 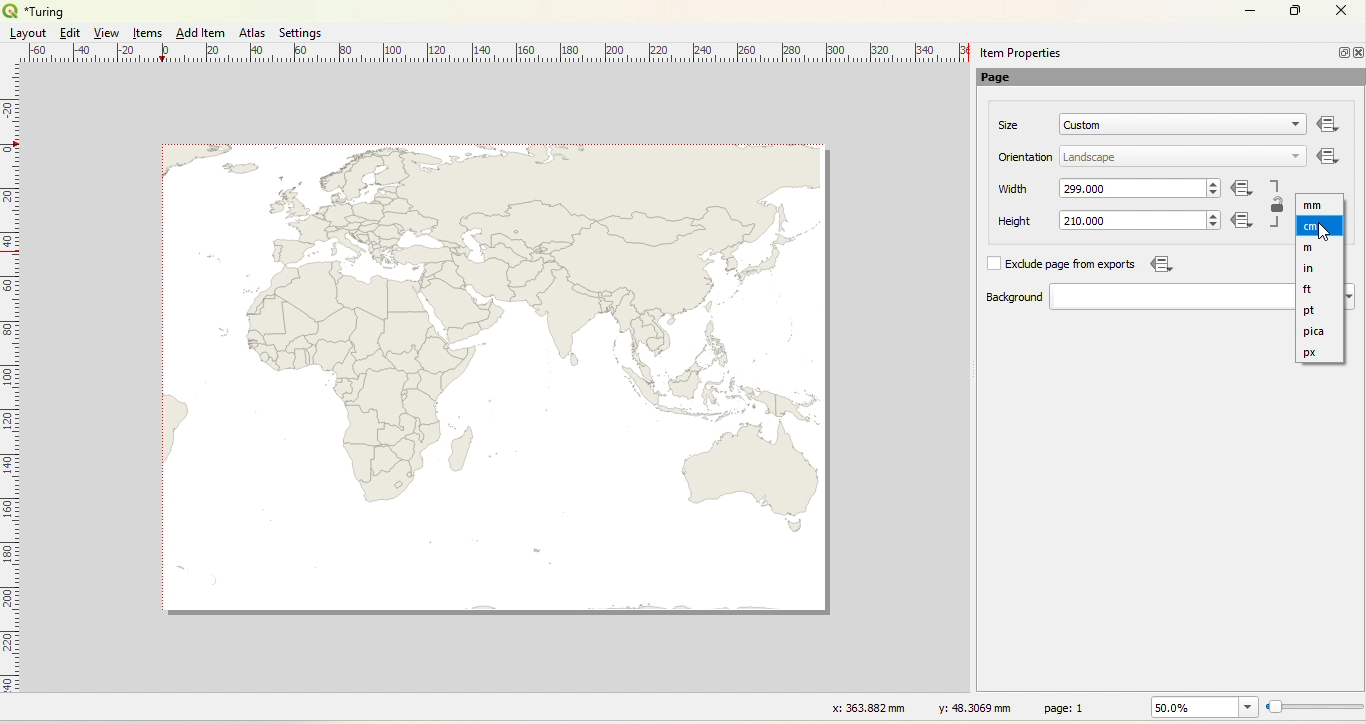 What do you see at coordinates (1296, 12) in the screenshot?
I see `Maximize` at bounding box center [1296, 12].